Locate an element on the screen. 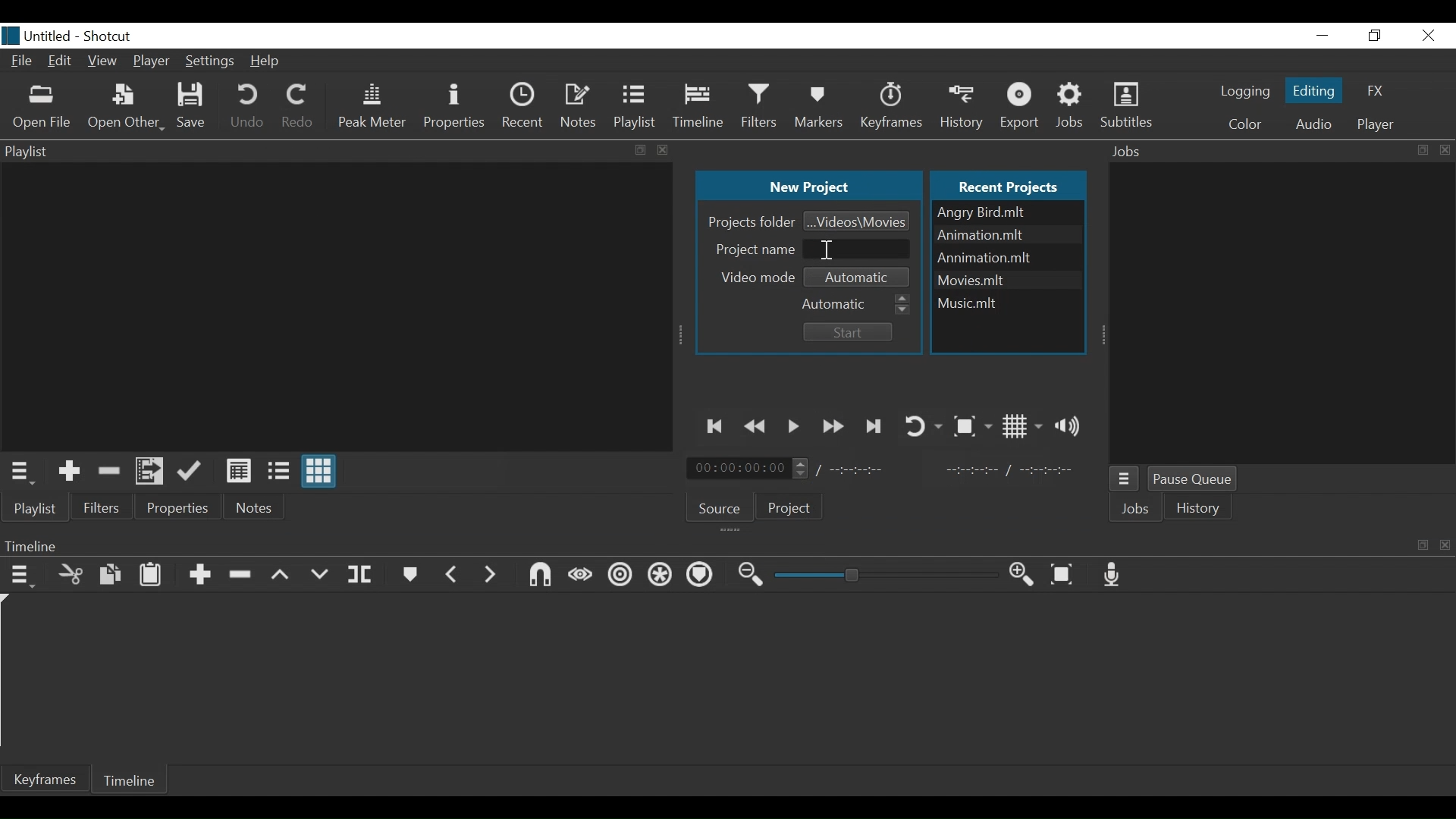  Jobs Panel is located at coordinates (1284, 314).